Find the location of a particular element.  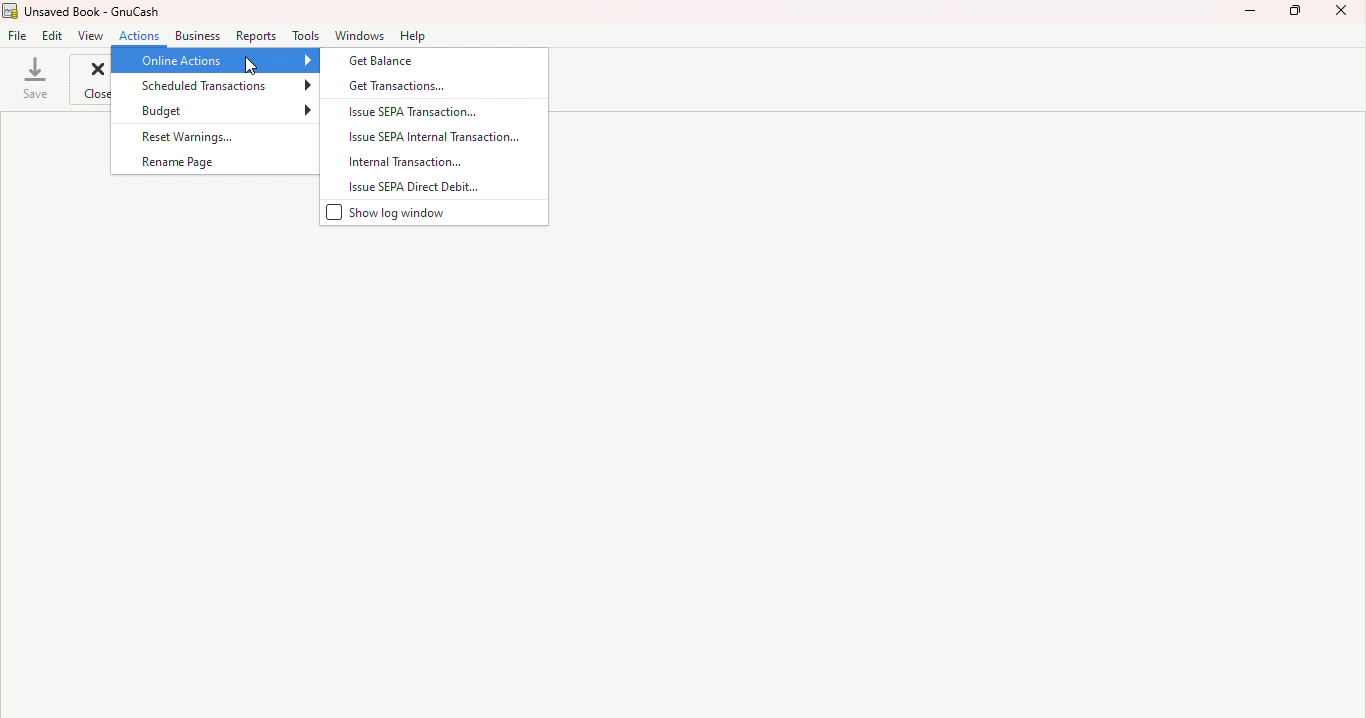

Minimize is located at coordinates (1250, 17).